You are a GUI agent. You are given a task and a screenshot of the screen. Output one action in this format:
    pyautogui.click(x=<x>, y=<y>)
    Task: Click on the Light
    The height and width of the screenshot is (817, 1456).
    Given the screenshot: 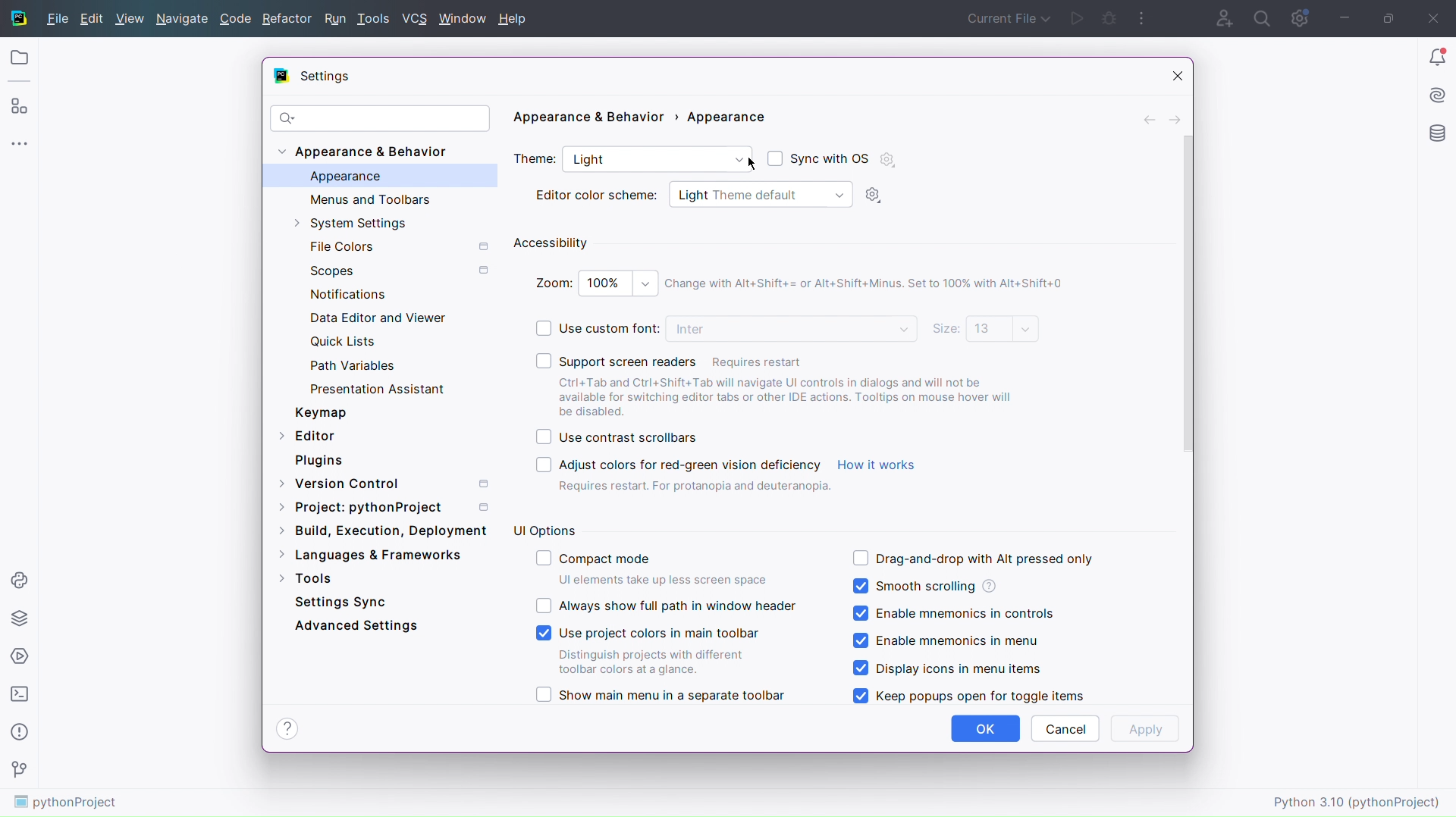 What is the action you would take?
    pyautogui.click(x=657, y=161)
    